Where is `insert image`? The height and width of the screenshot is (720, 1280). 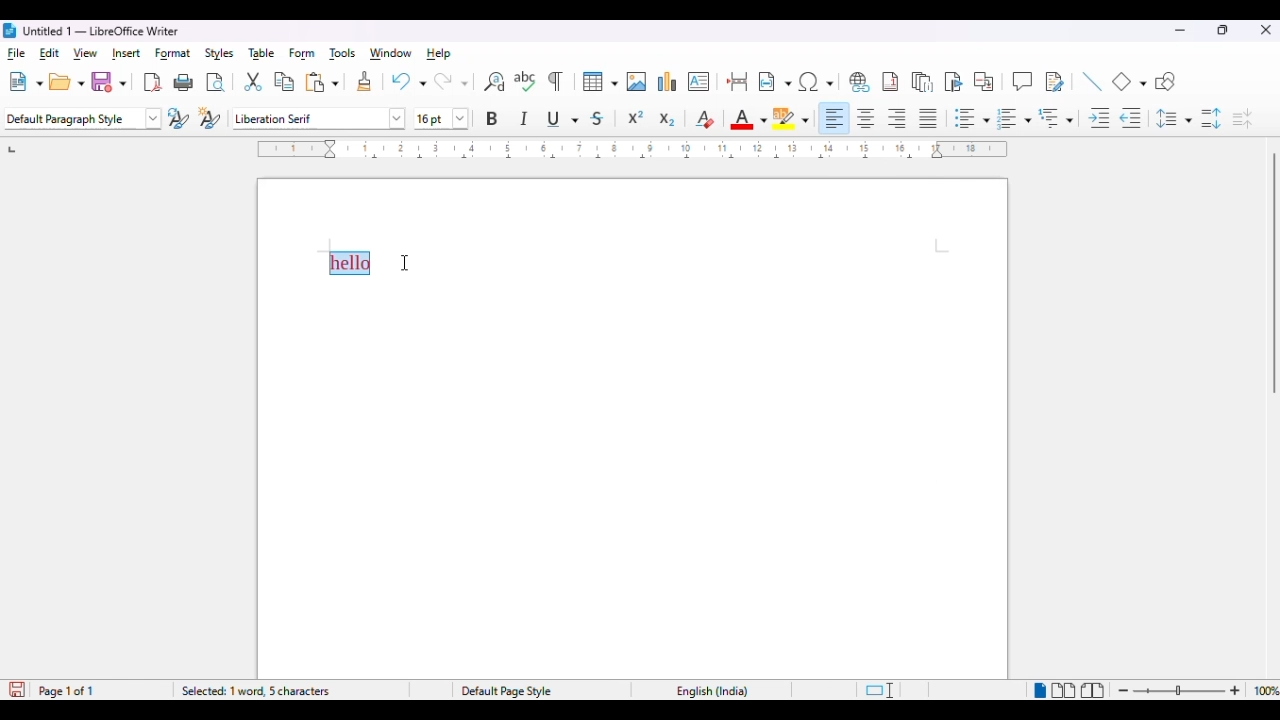
insert image is located at coordinates (637, 82).